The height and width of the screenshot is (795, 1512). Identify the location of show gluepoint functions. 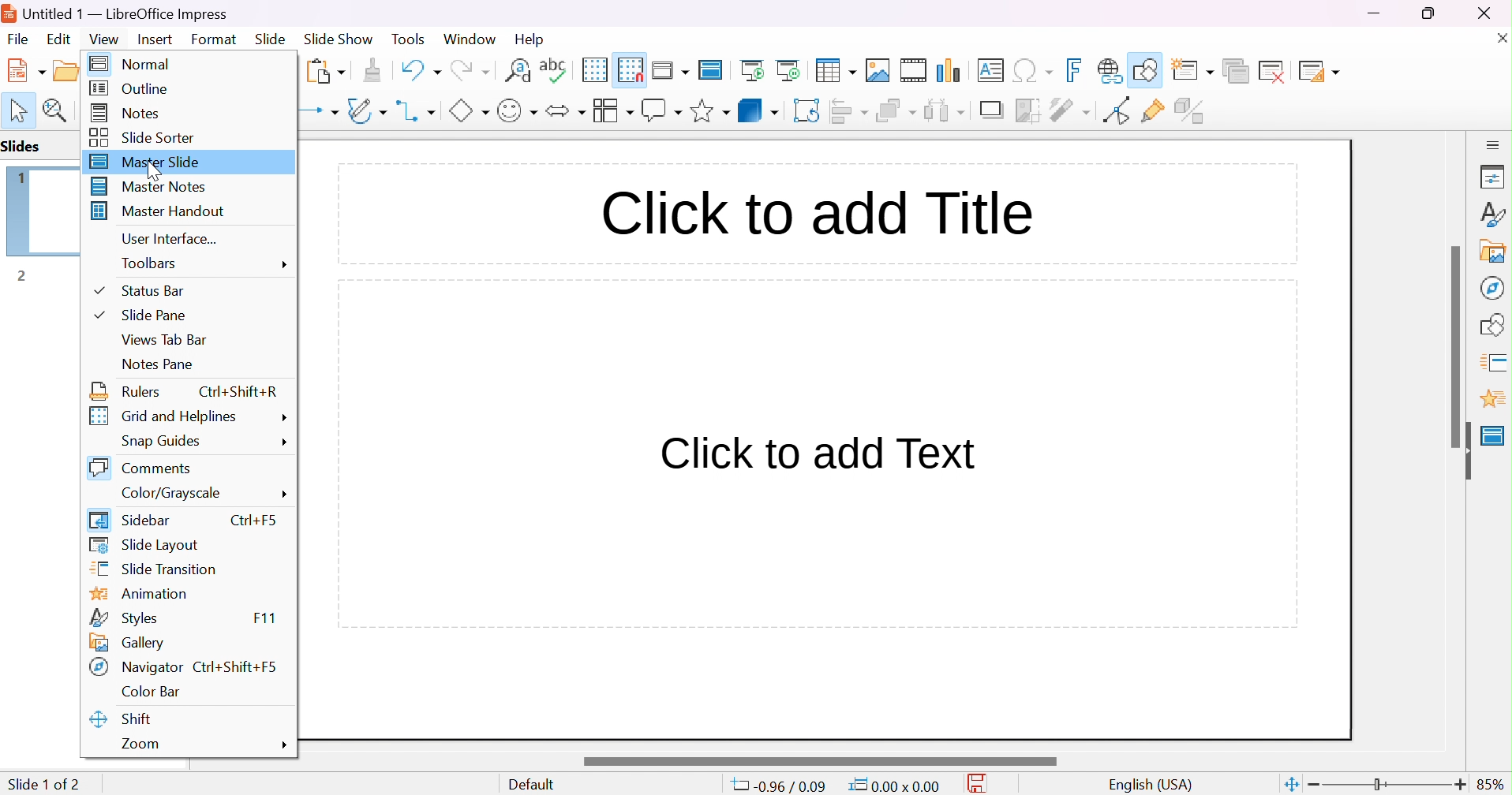
(1153, 111).